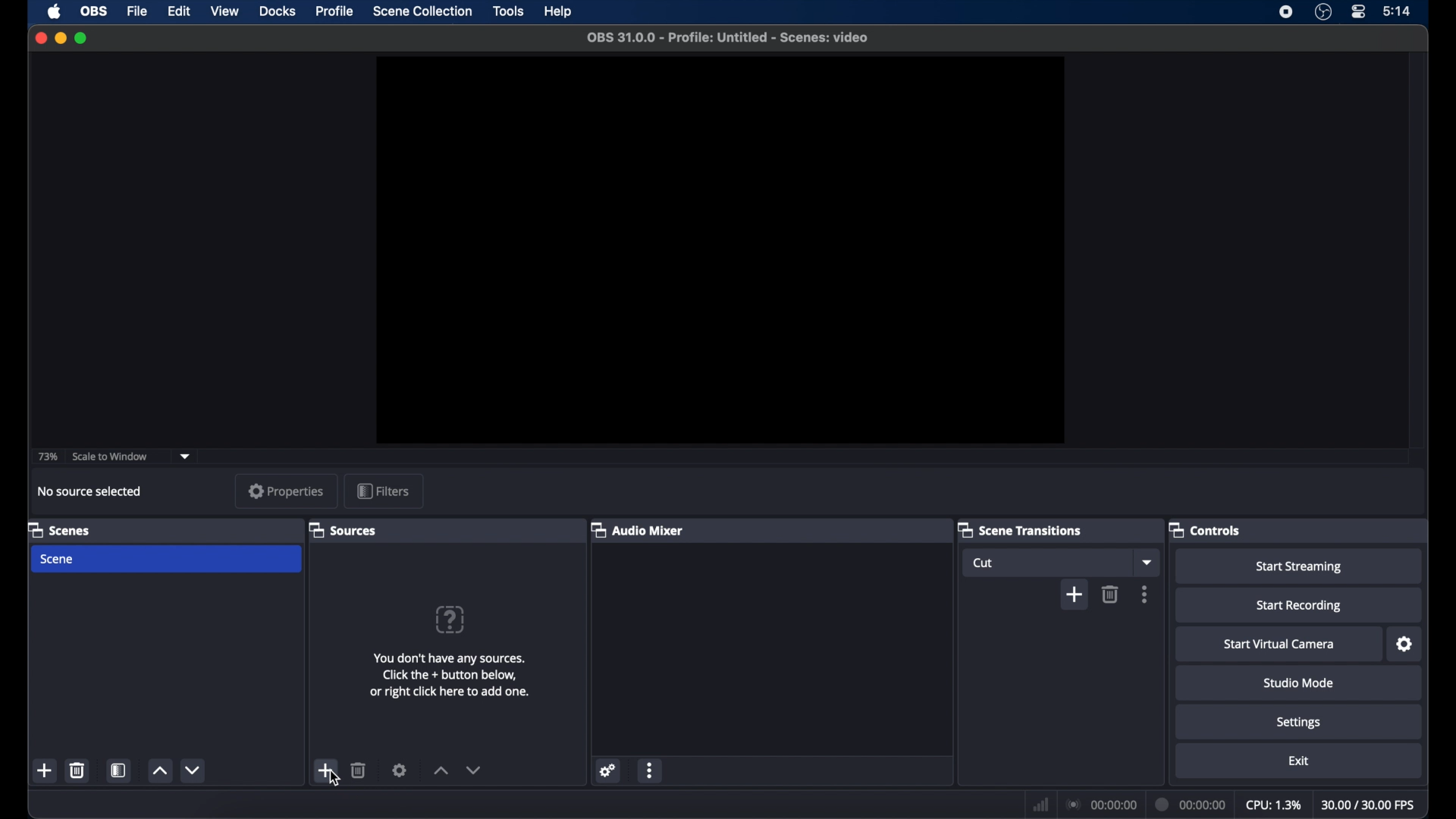 Image resolution: width=1456 pixels, height=819 pixels. Describe the element at coordinates (278, 11) in the screenshot. I see `docks` at that location.